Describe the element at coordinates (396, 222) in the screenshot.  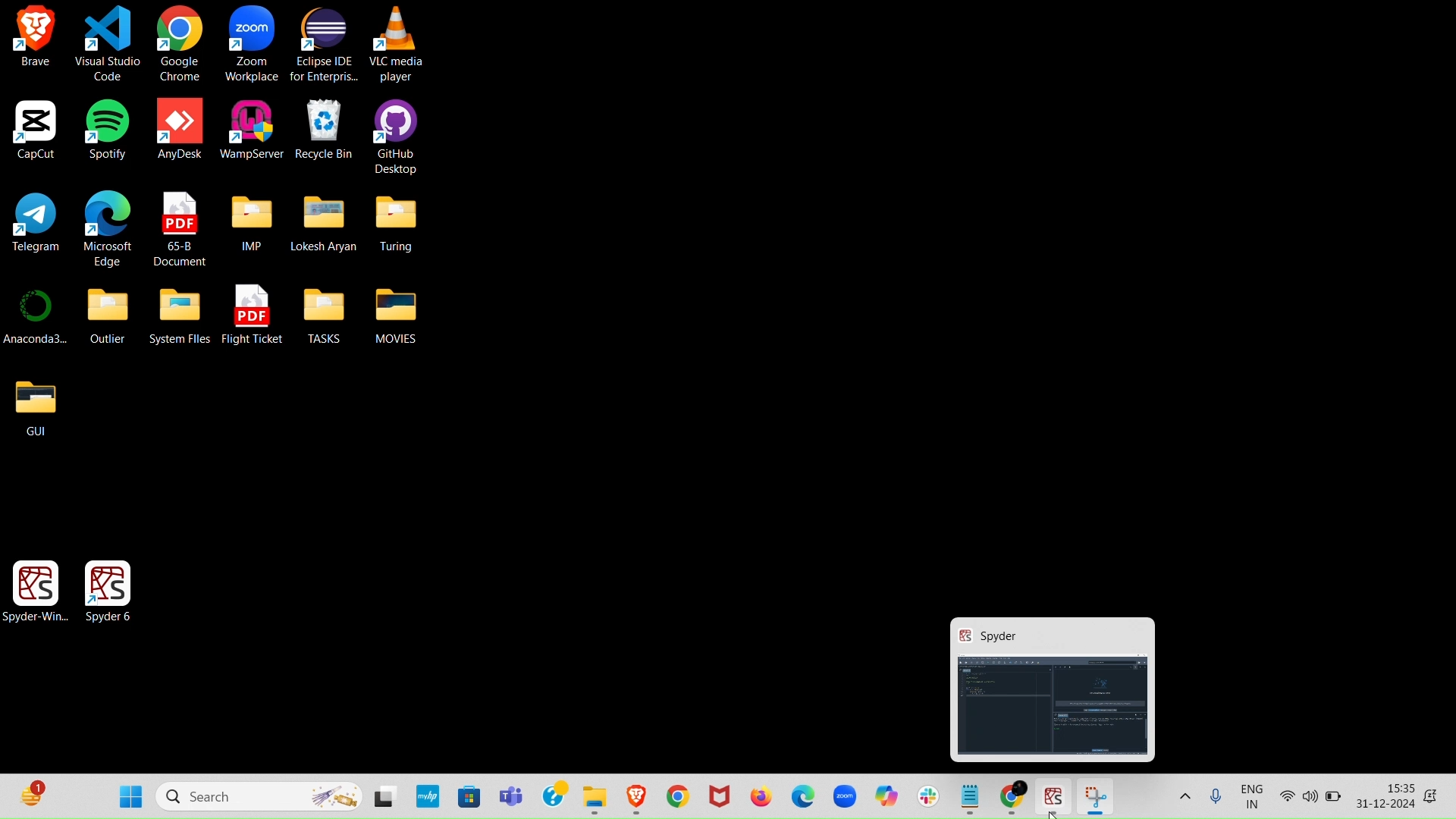
I see `Turing` at that location.